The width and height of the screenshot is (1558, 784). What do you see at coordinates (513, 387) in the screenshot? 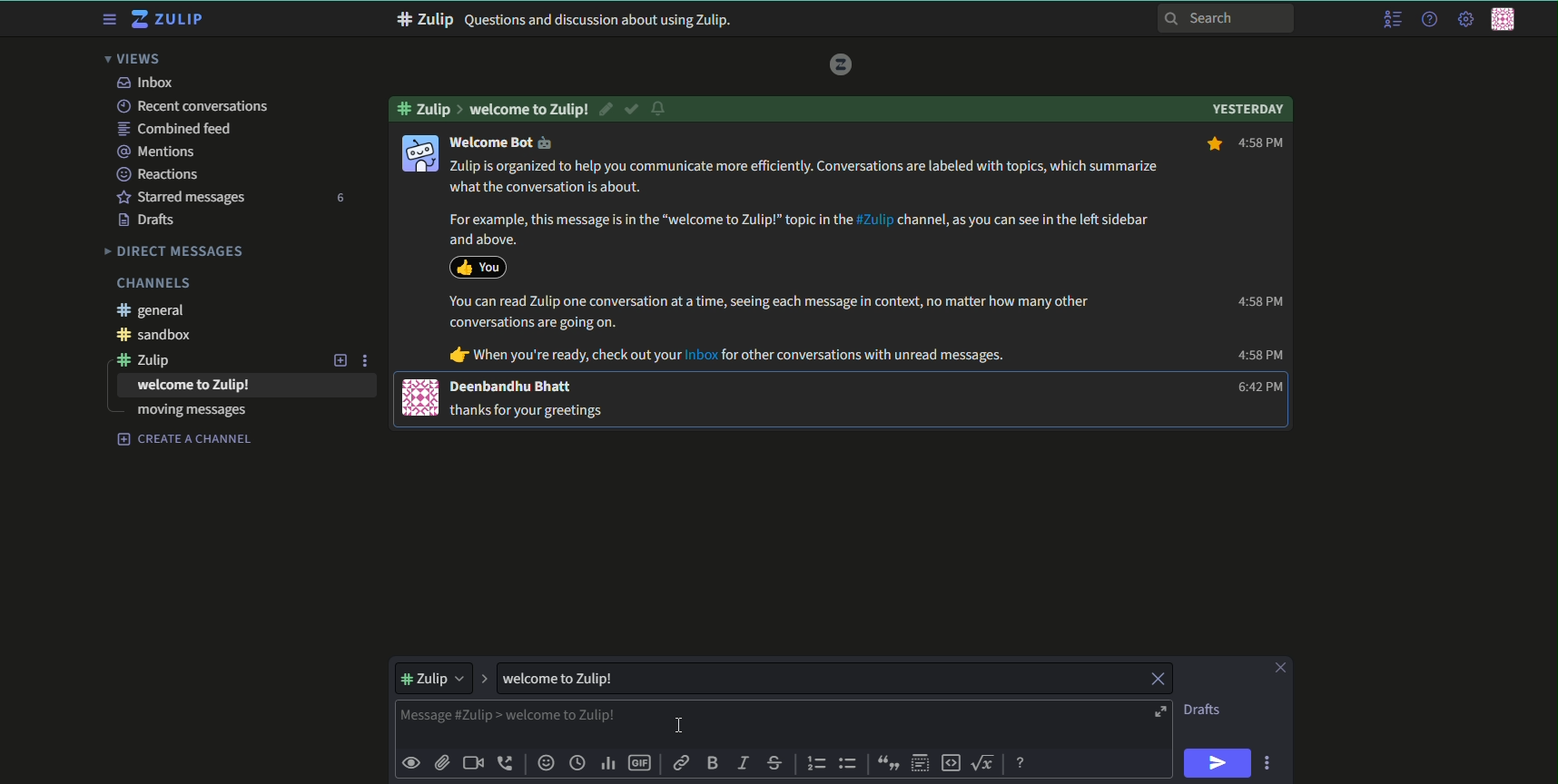
I see `Deenbandhu Bhatt` at bounding box center [513, 387].